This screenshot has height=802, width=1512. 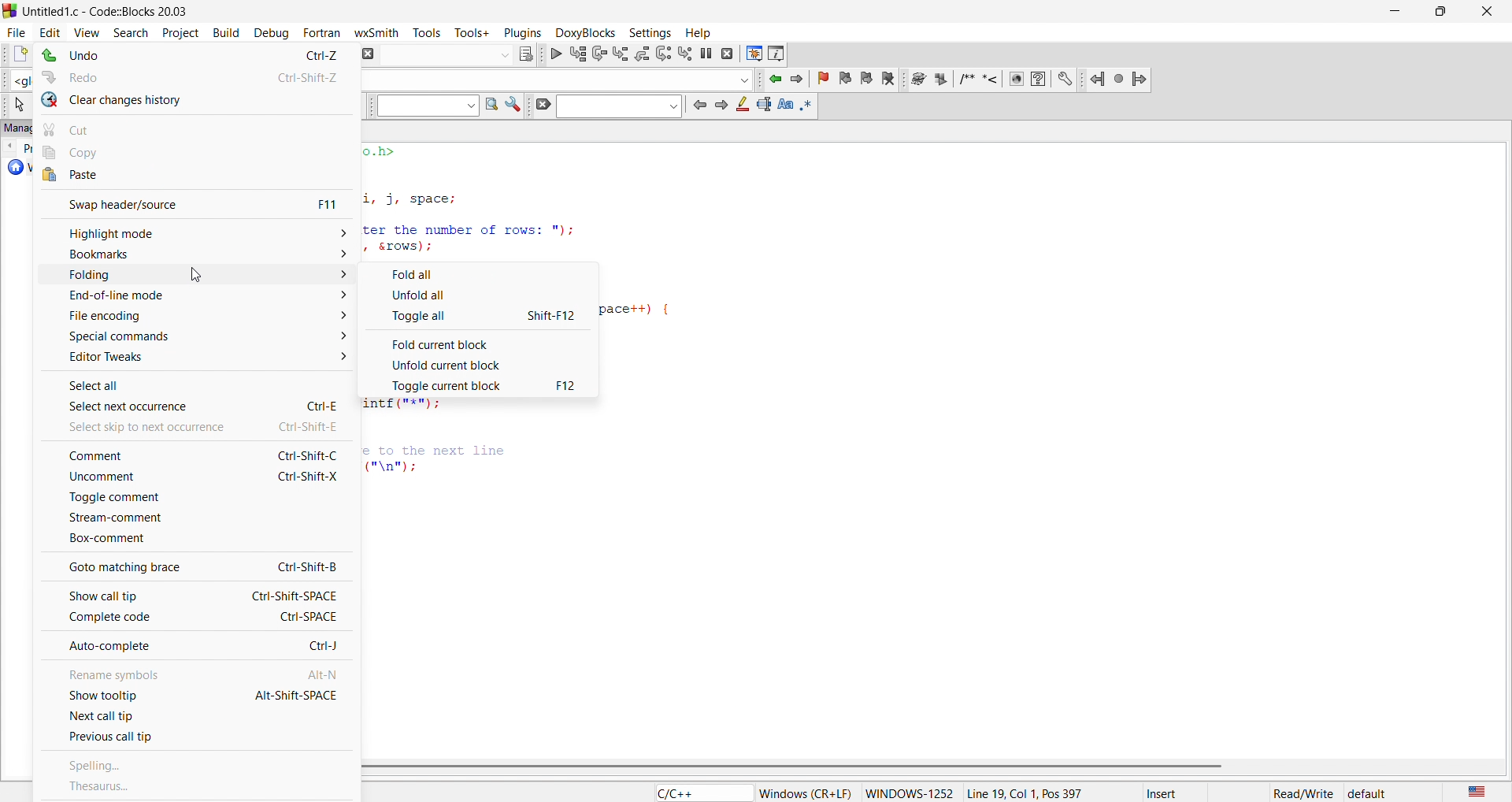 I want to click on stream comment, so click(x=195, y=517).